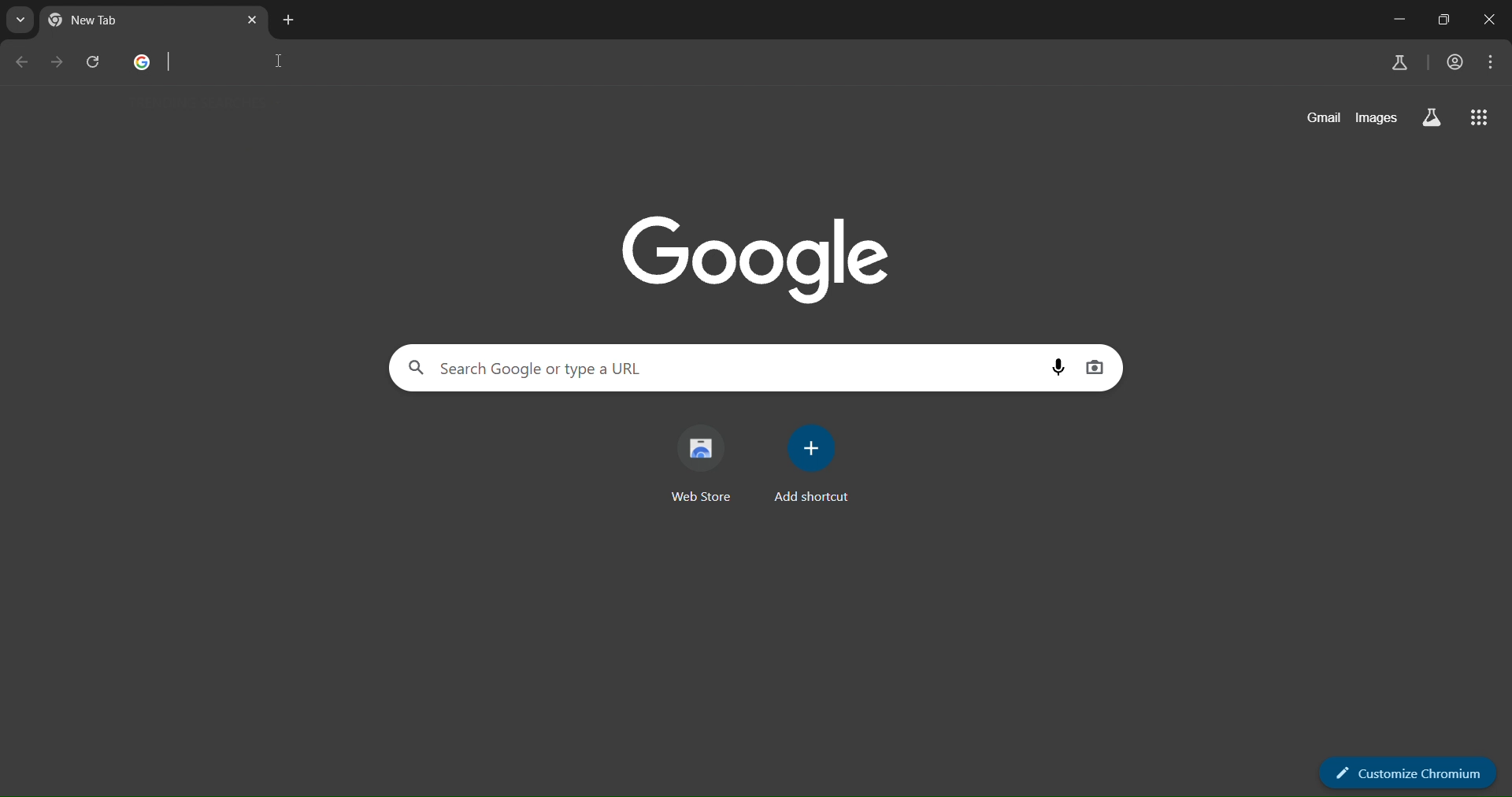 The width and height of the screenshot is (1512, 797). I want to click on Google logo, so click(141, 64).